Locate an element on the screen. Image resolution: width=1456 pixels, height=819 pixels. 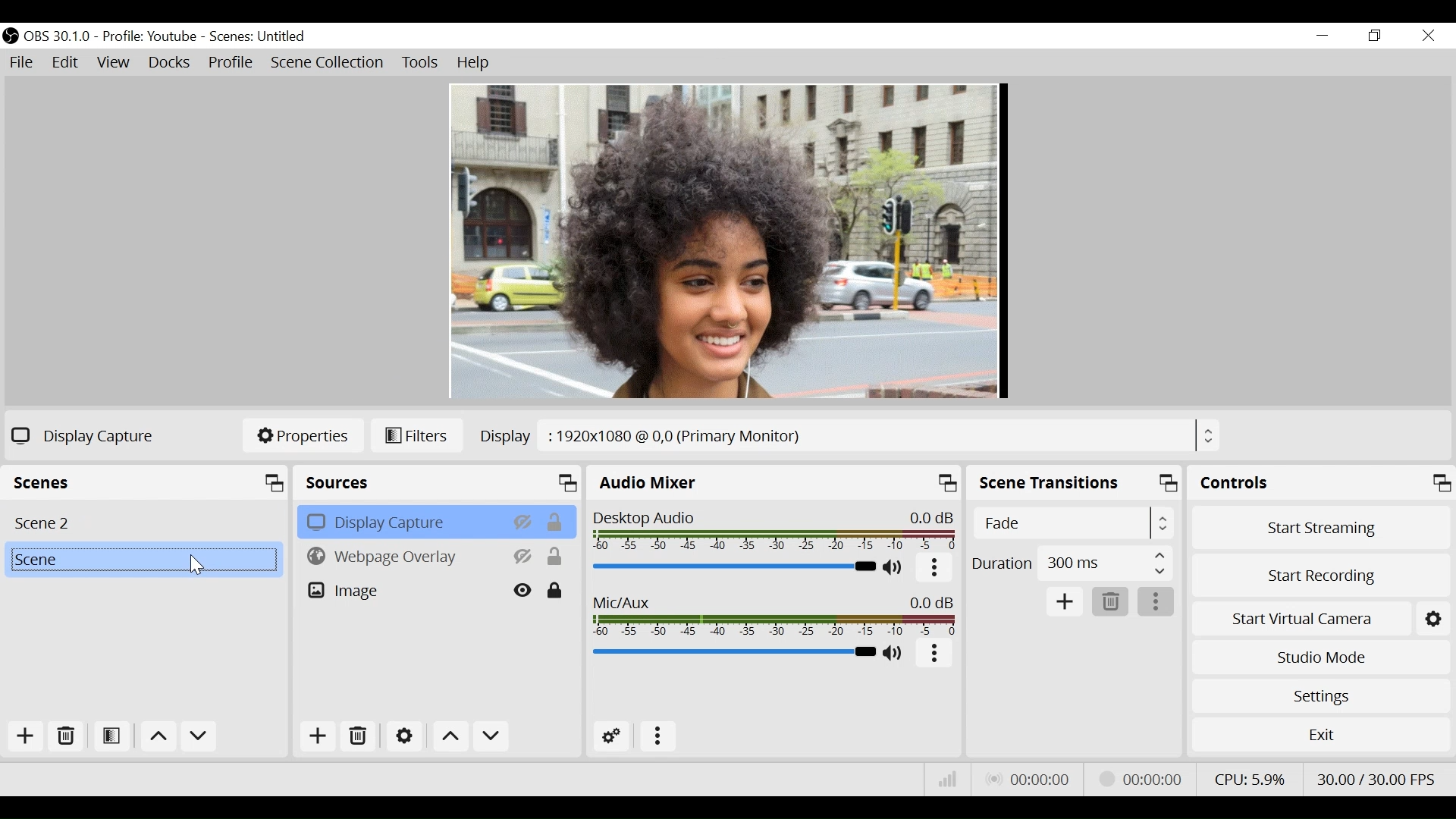
Delete is located at coordinates (1109, 601).